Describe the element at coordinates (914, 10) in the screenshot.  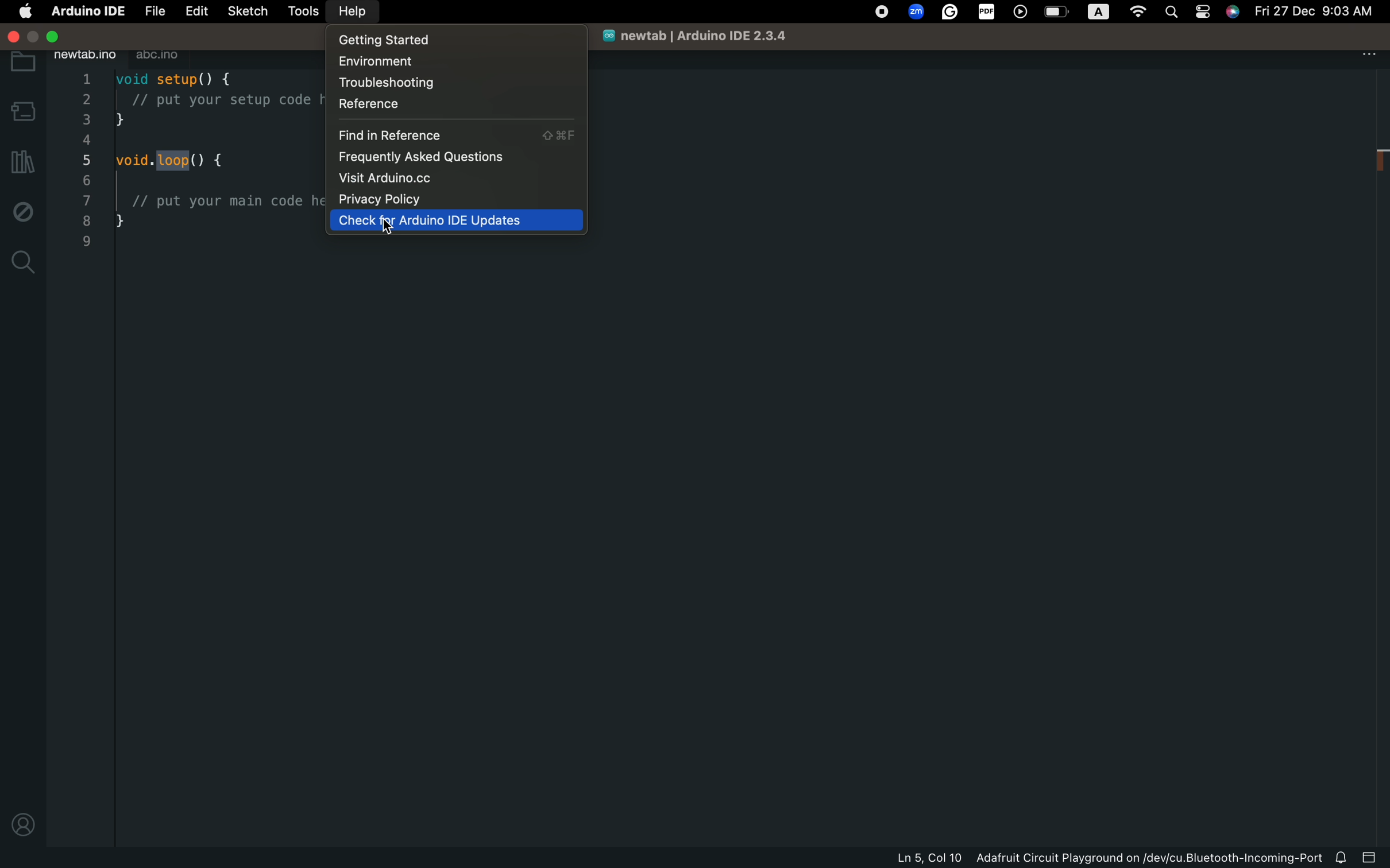
I see `Zoom` at that location.